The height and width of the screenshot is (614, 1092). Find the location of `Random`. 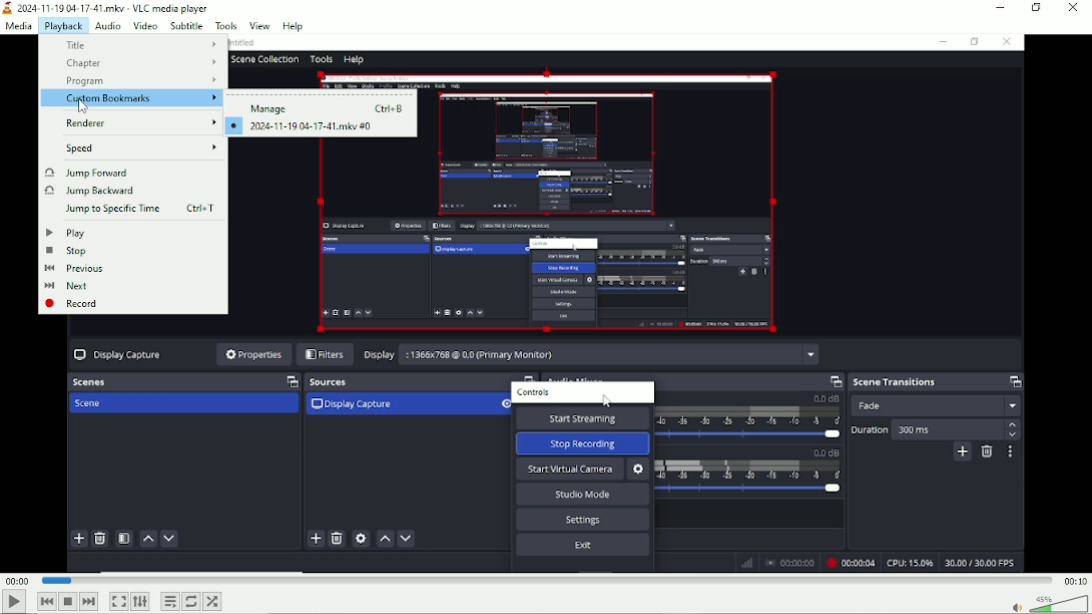

Random is located at coordinates (212, 602).